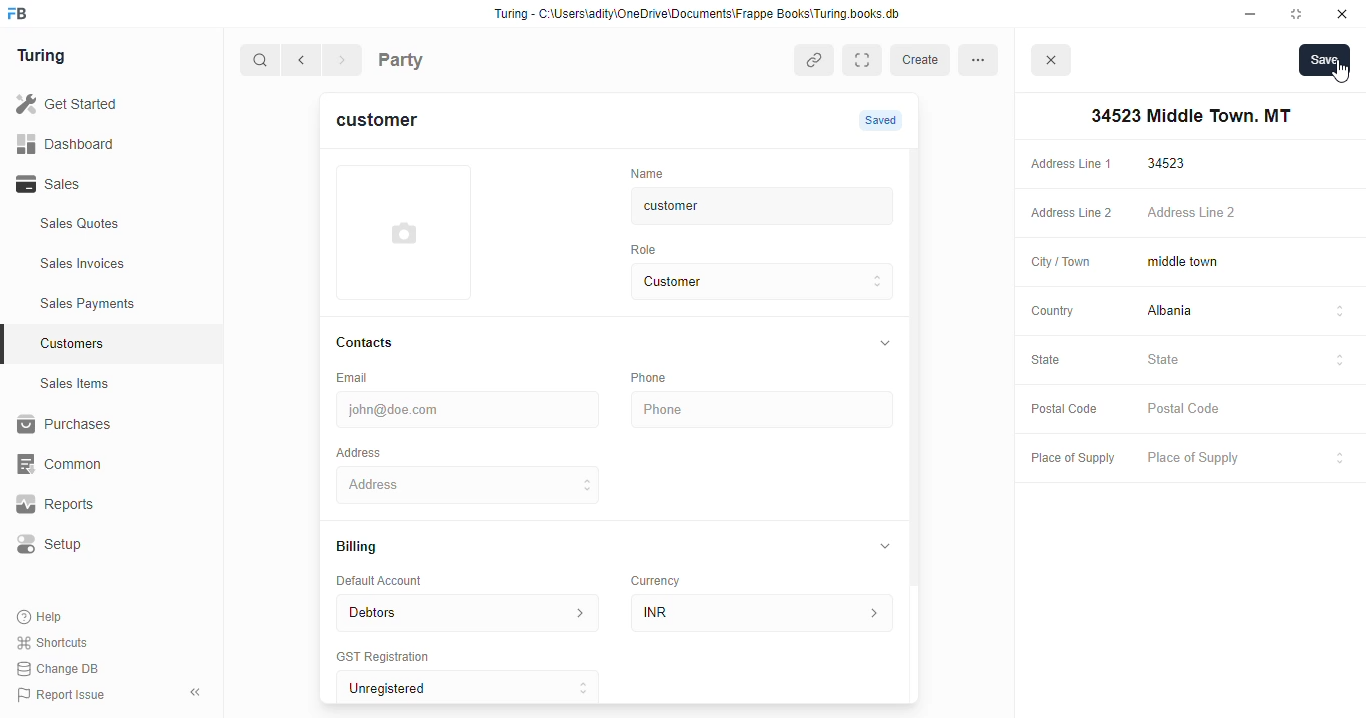  I want to click on Change DB, so click(62, 668).